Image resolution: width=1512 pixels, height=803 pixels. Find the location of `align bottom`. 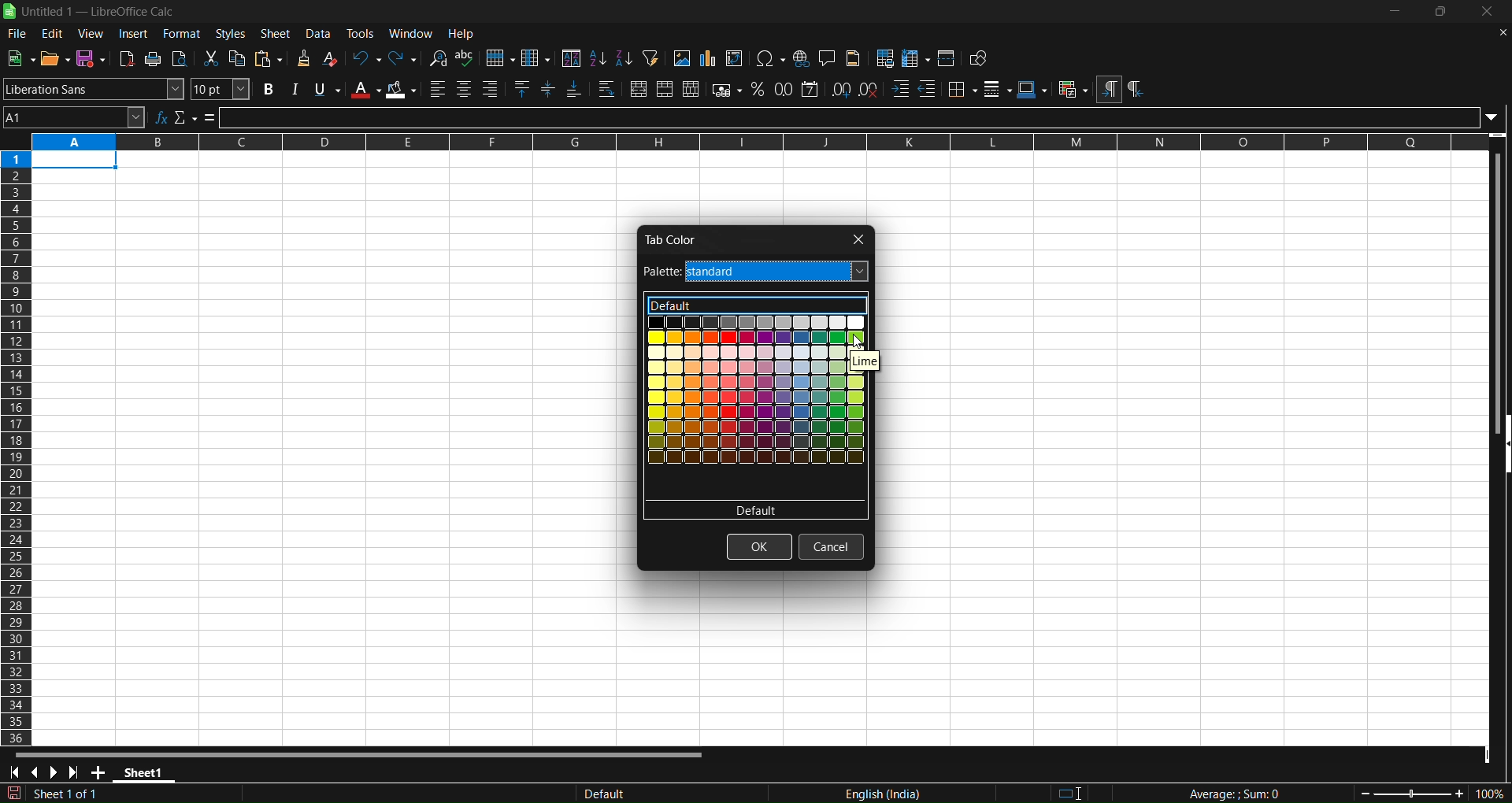

align bottom is located at coordinates (574, 91).